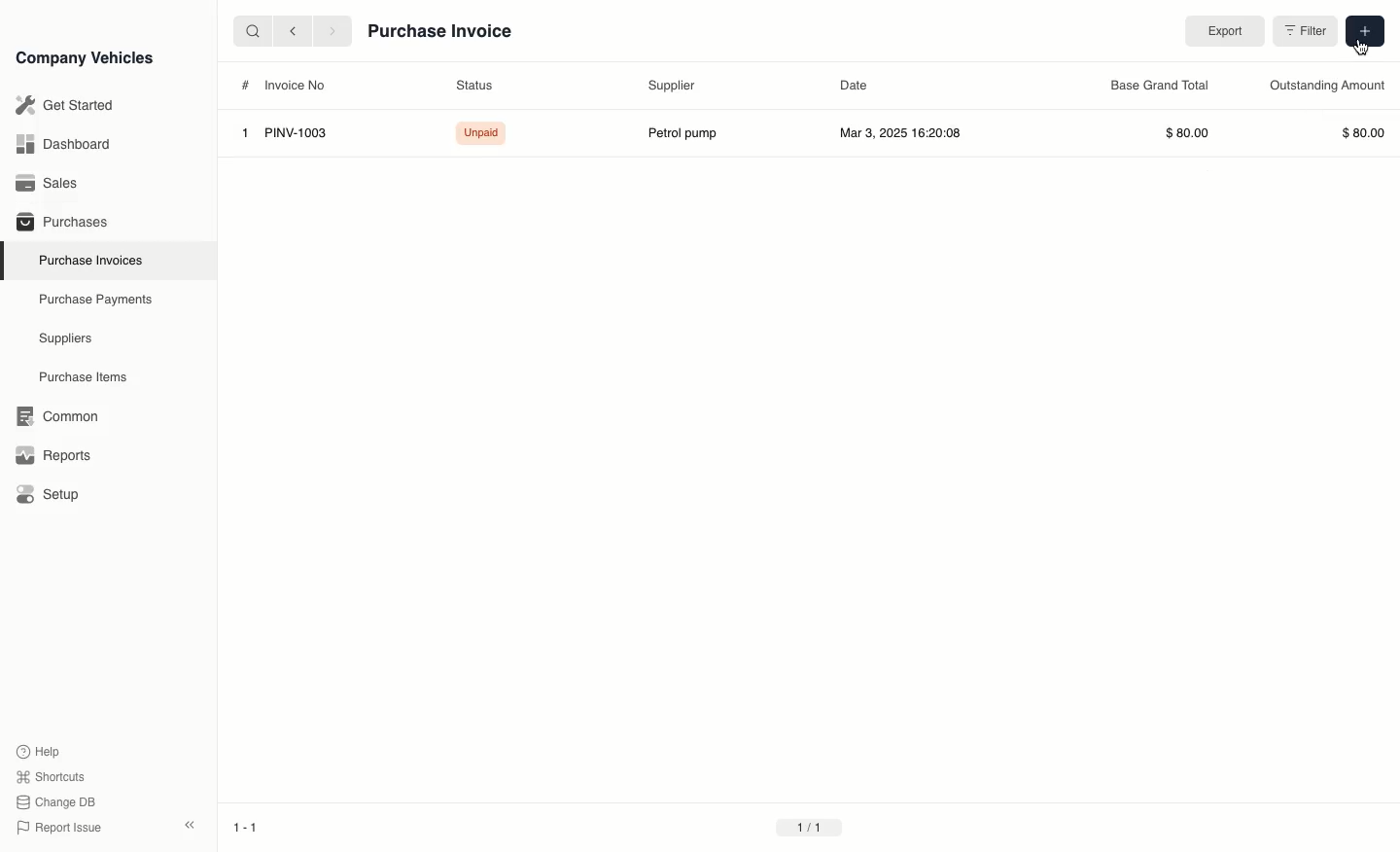 This screenshot has height=852, width=1400. I want to click on Shortcuts, so click(52, 778).